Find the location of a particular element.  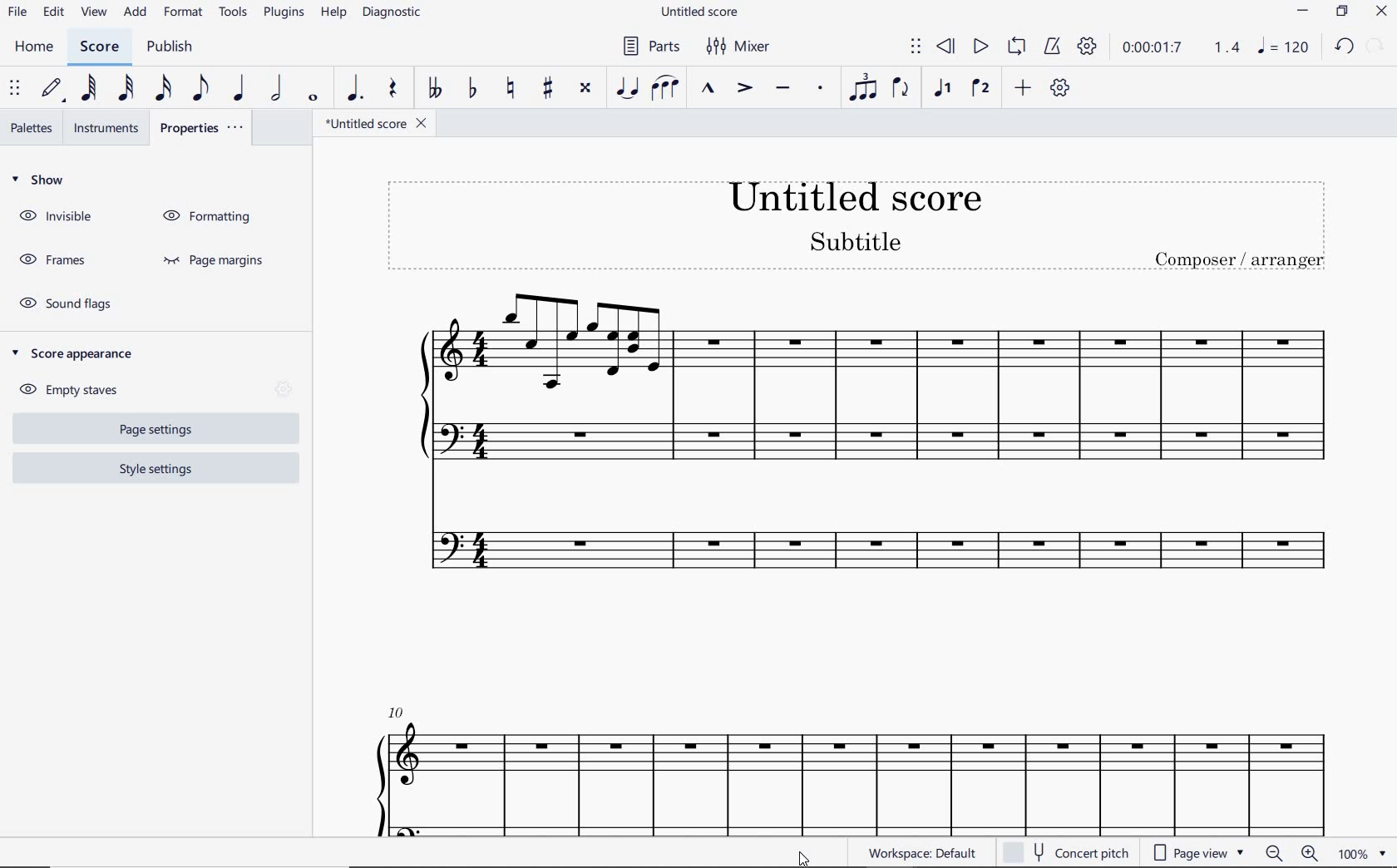

SELECT TO MOVE is located at coordinates (18, 87).